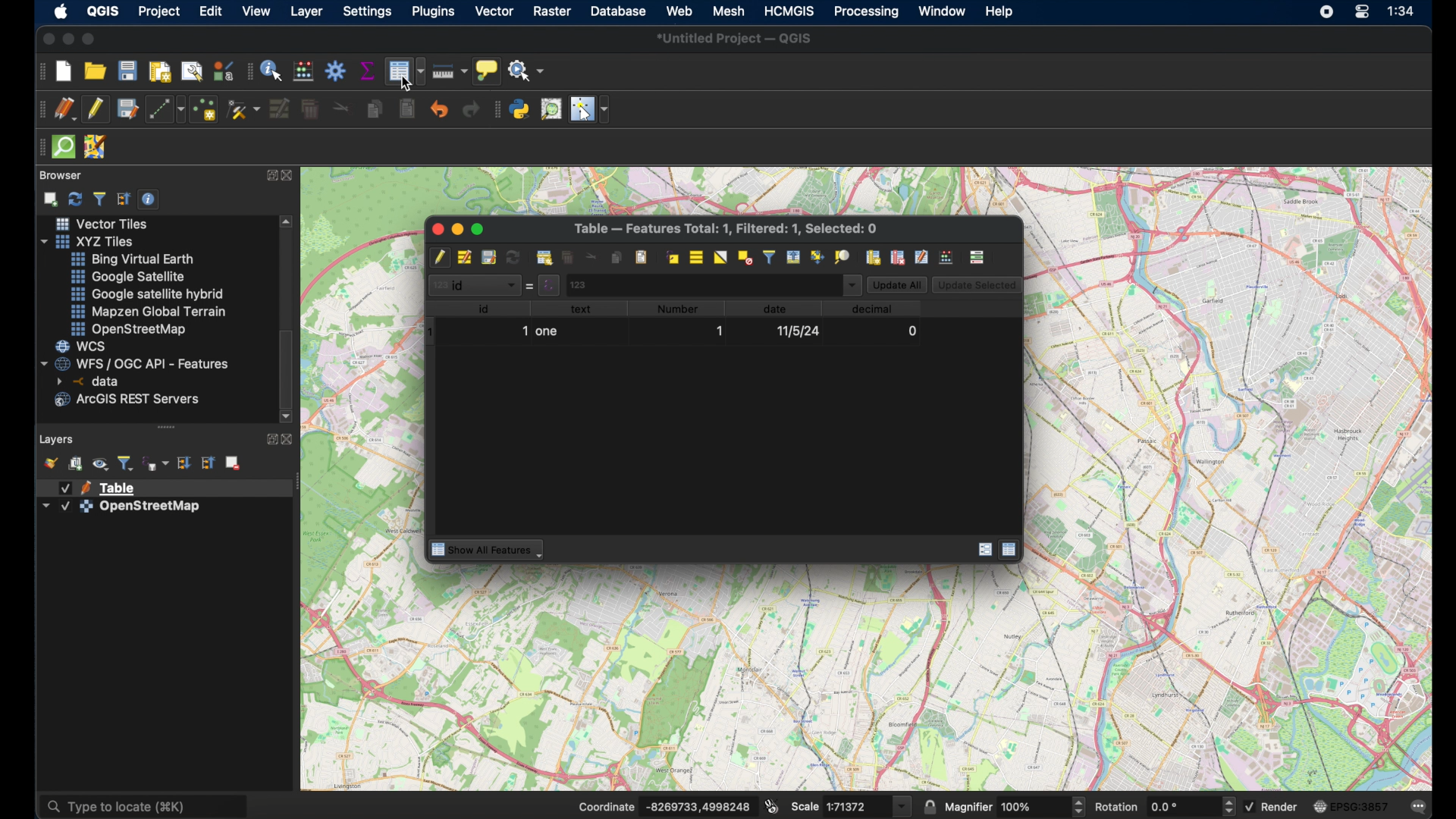 The height and width of the screenshot is (819, 1456). I want to click on remove Layer/group, so click(234, 462).